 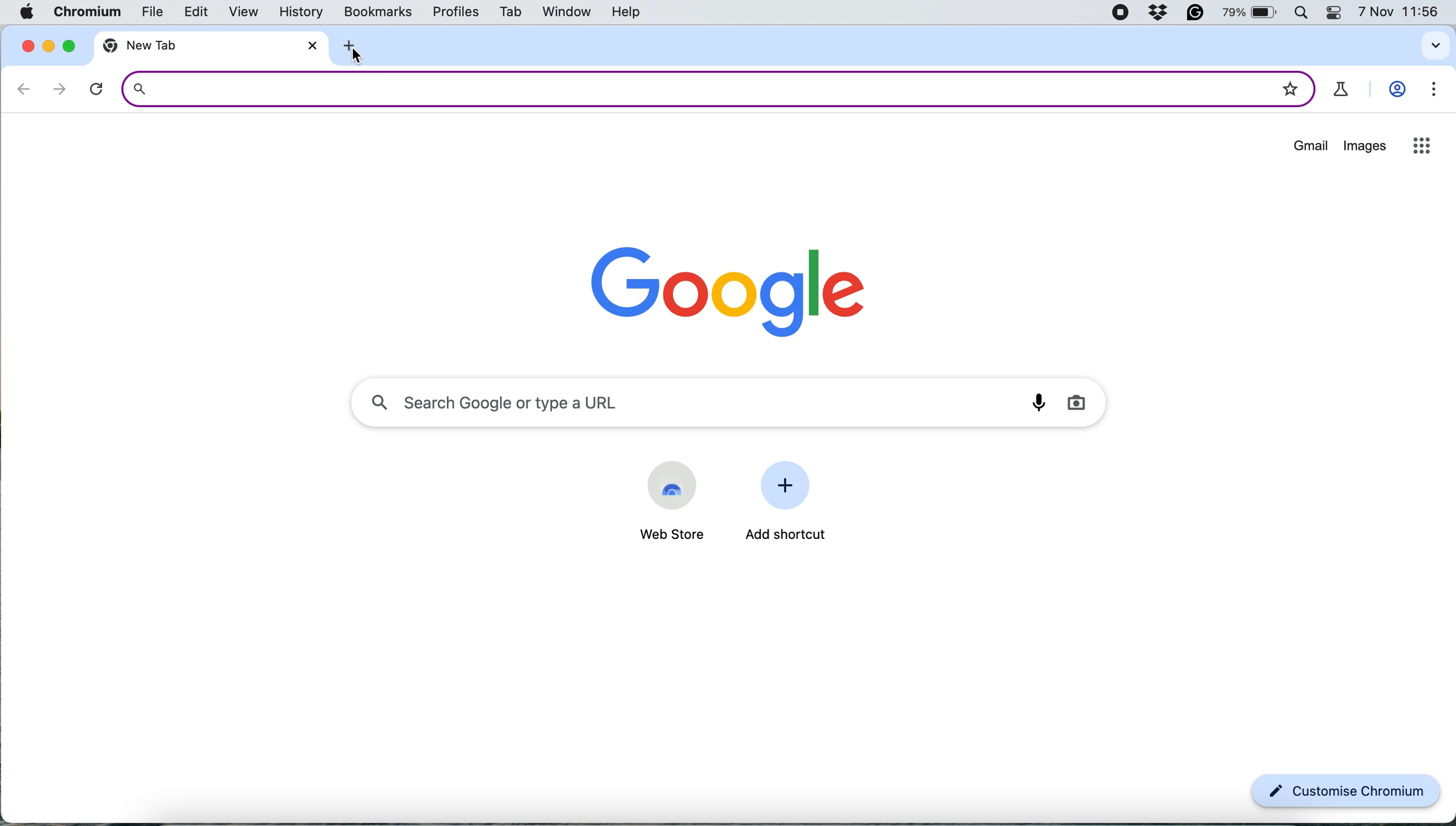 What do you see at coordinates (1305, 13) in the screenshot?
I see `spotlight search` at bounding box center [1305, 13].